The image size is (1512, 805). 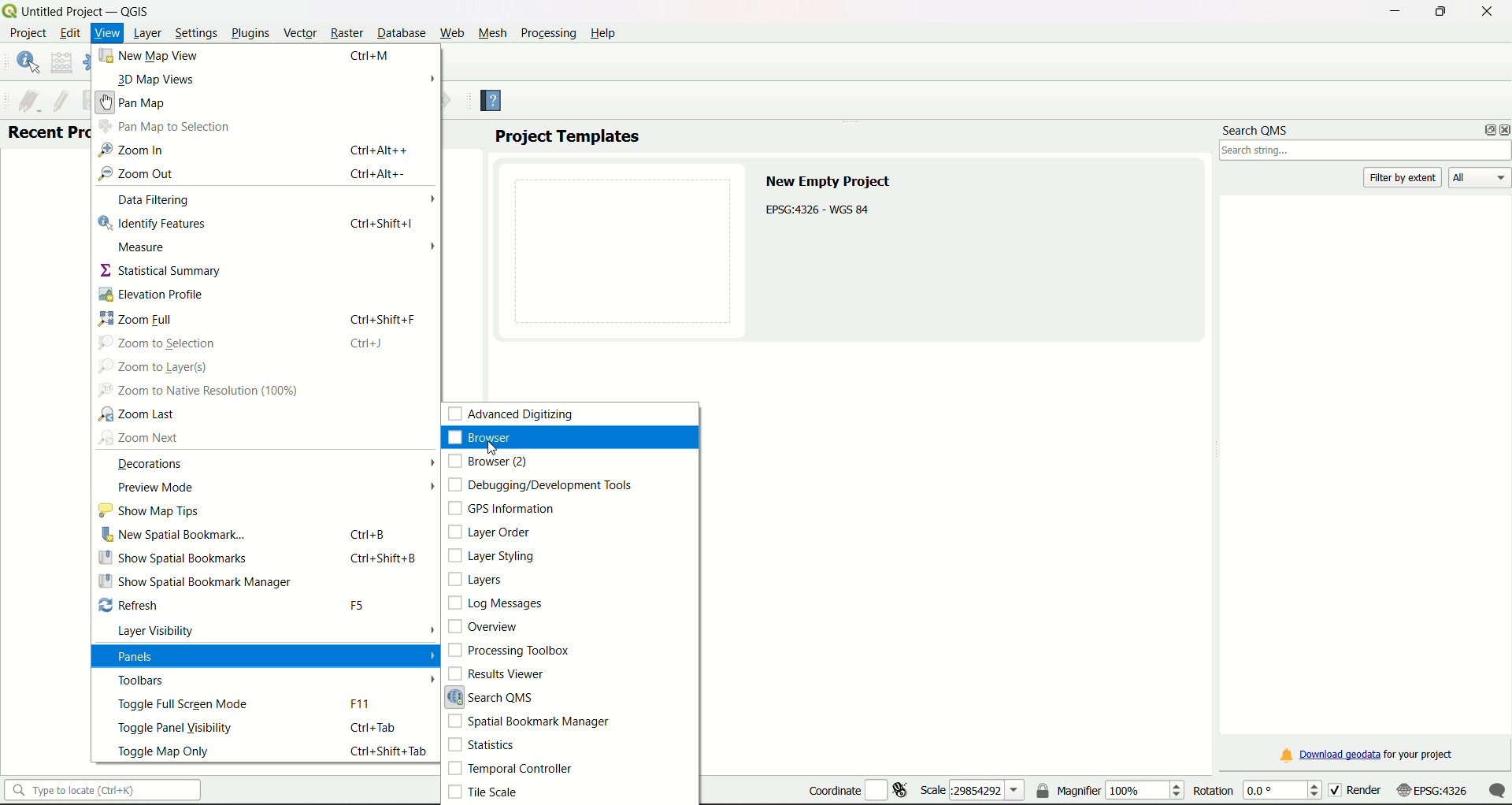 What do you see at coordinates (132, 150) in the screenshot?
I see `` at bounding box center [132, 150].